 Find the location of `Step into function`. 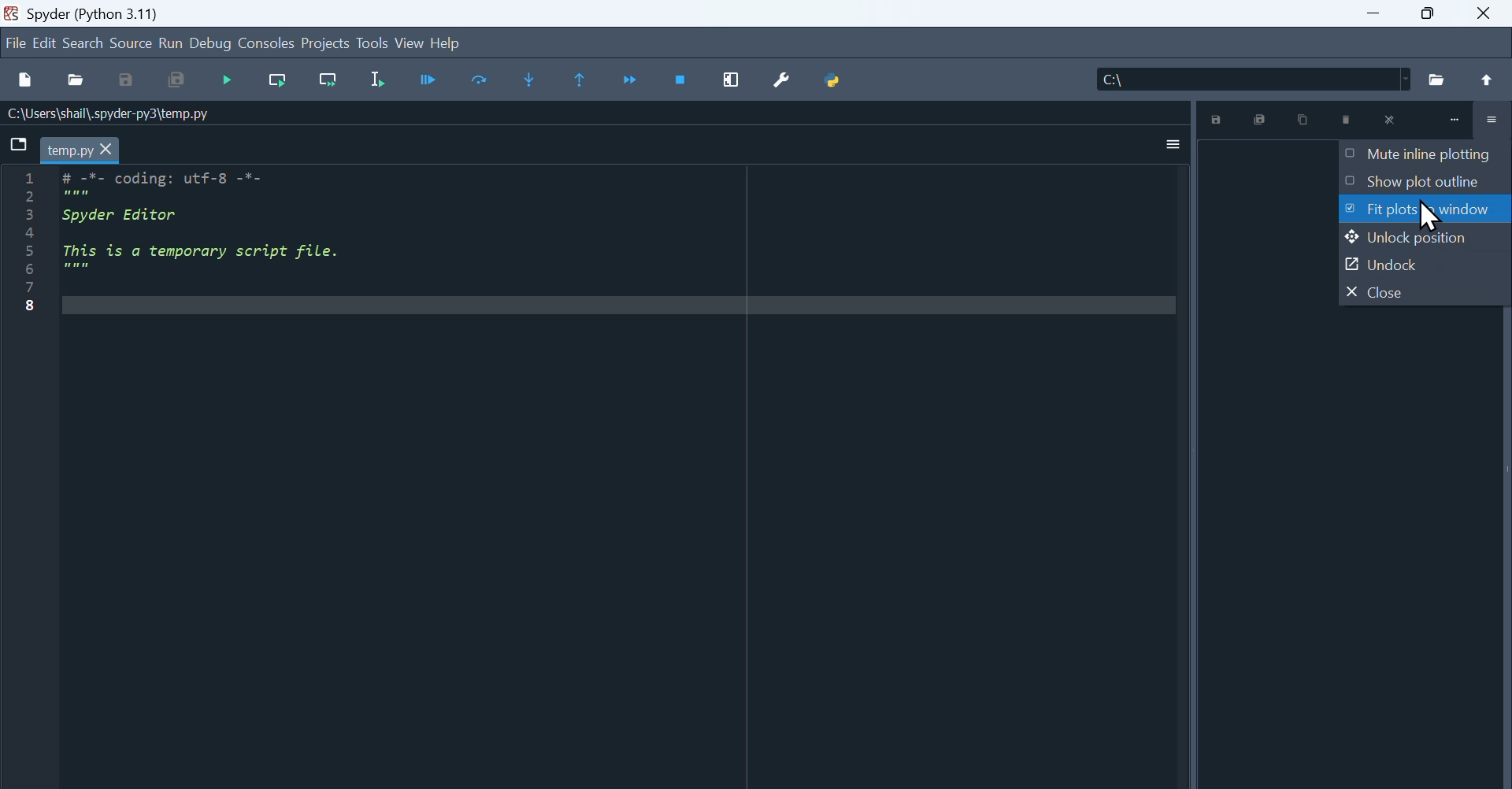

Step into function is located at coordinates (534, 79).